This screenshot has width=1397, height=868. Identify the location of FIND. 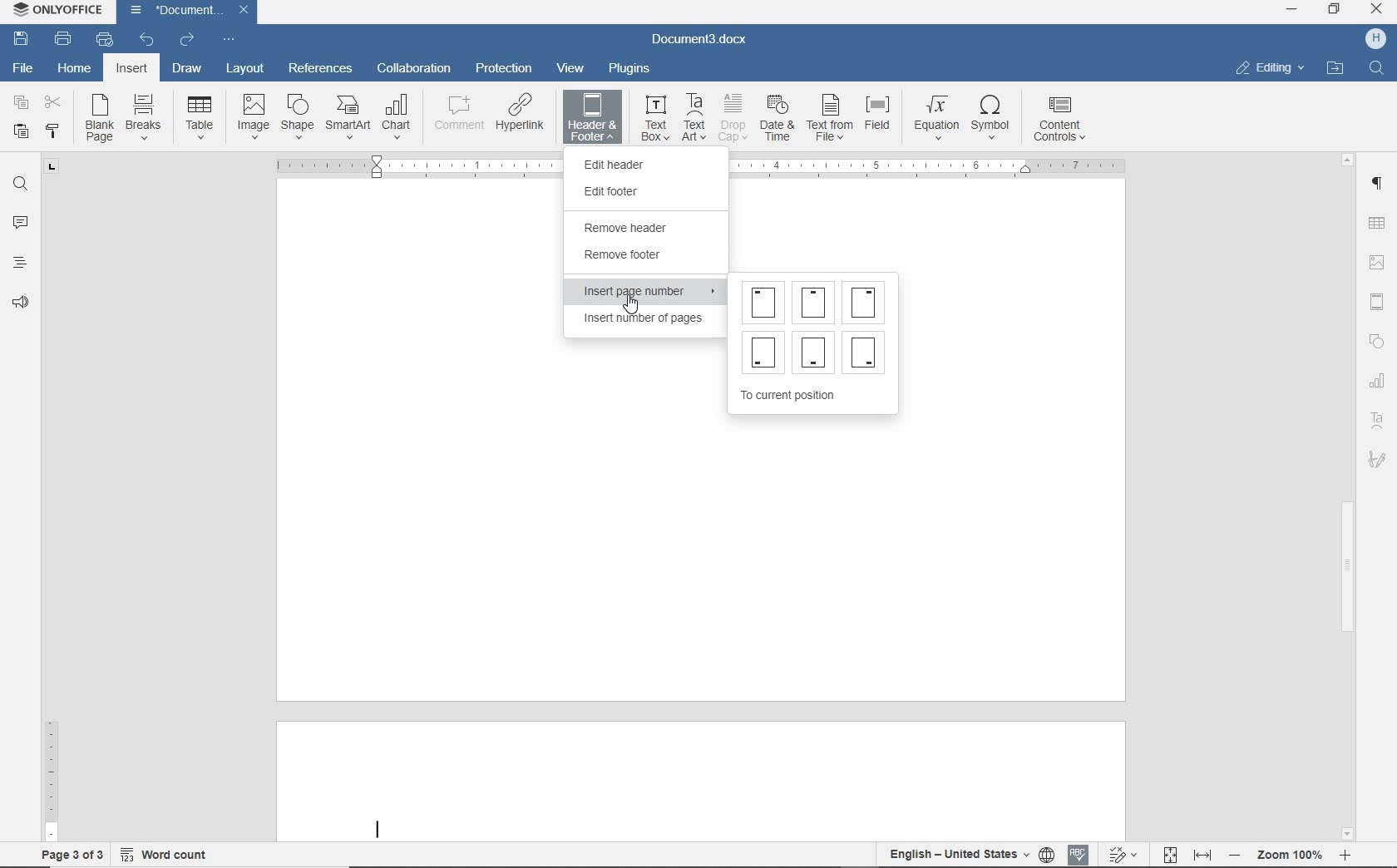
(1376, 70).